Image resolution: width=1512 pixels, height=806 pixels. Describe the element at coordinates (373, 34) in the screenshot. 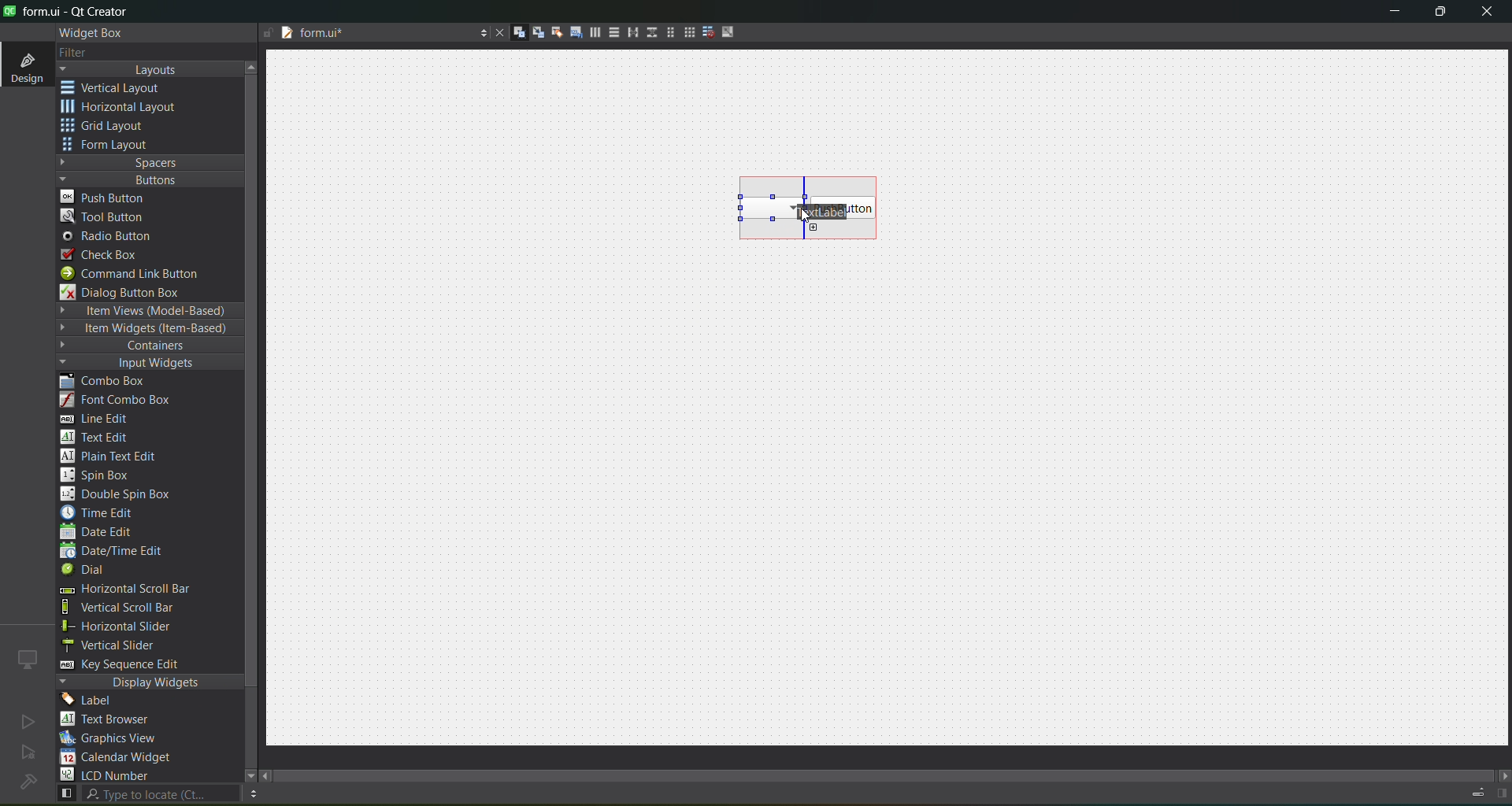

I see `tab name` at that location.